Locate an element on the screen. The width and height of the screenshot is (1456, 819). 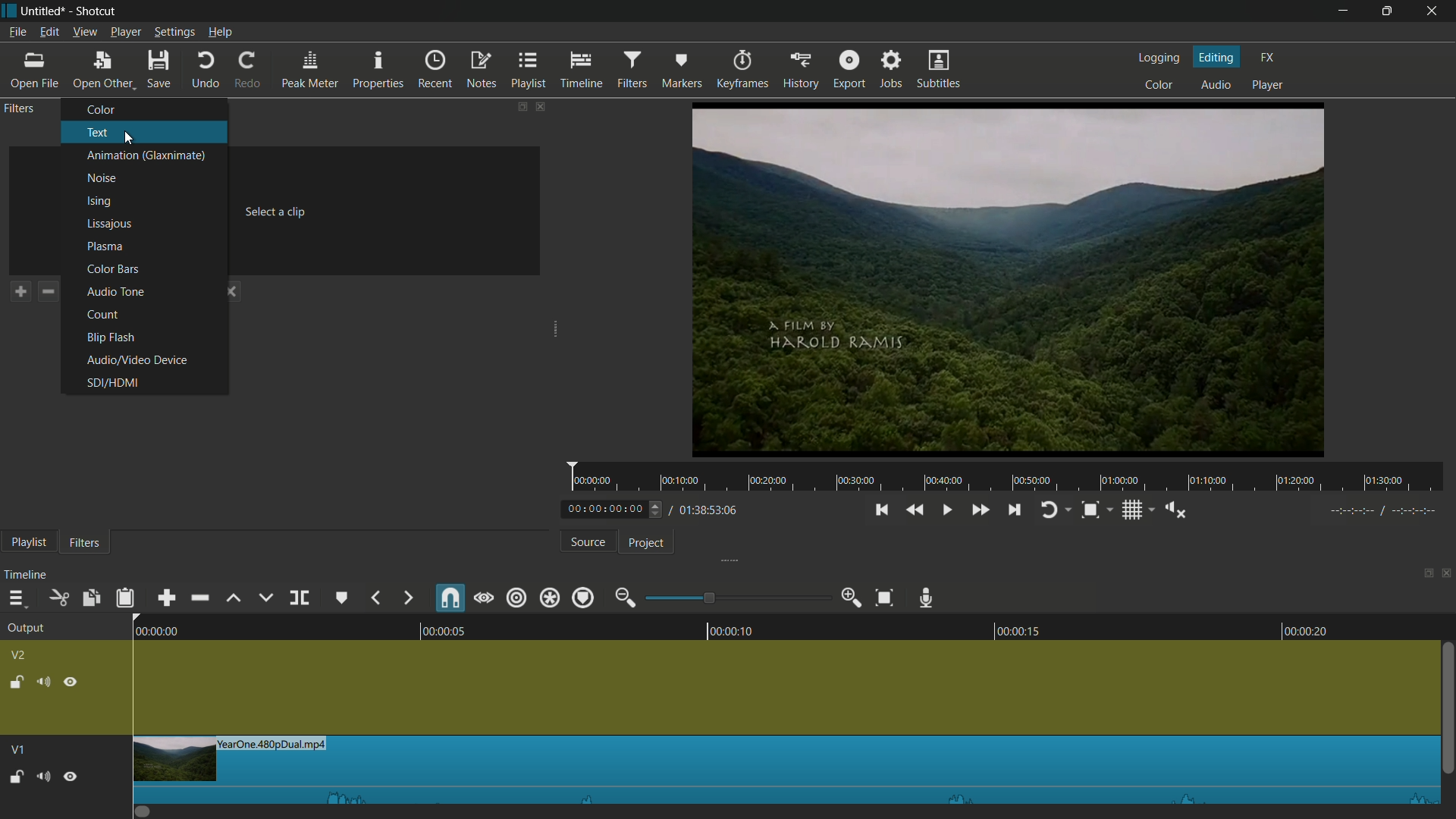
adjustment bar is located at coordinates (739, 598).